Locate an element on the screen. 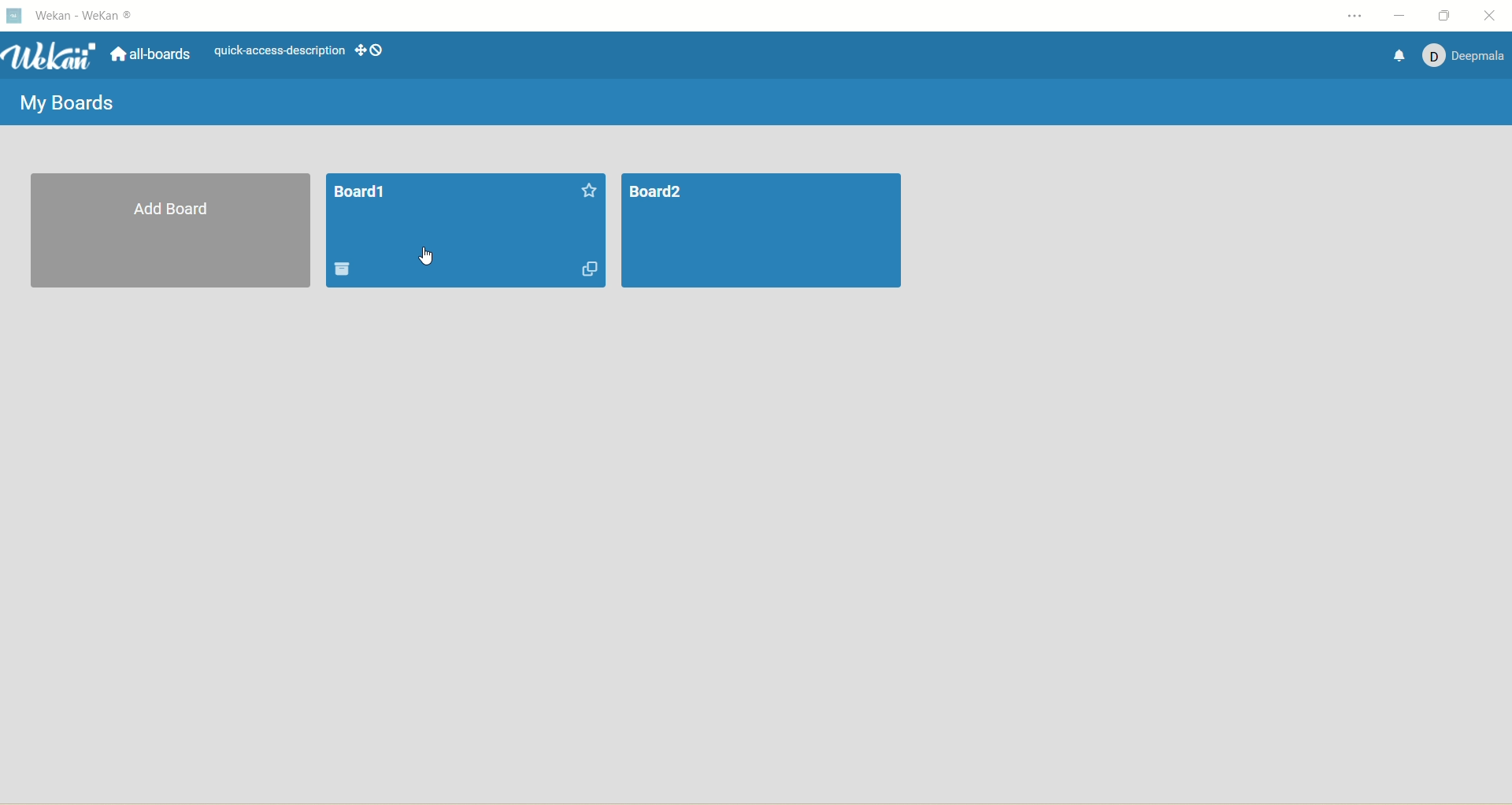  my boards is located at coordinates (61, 106).